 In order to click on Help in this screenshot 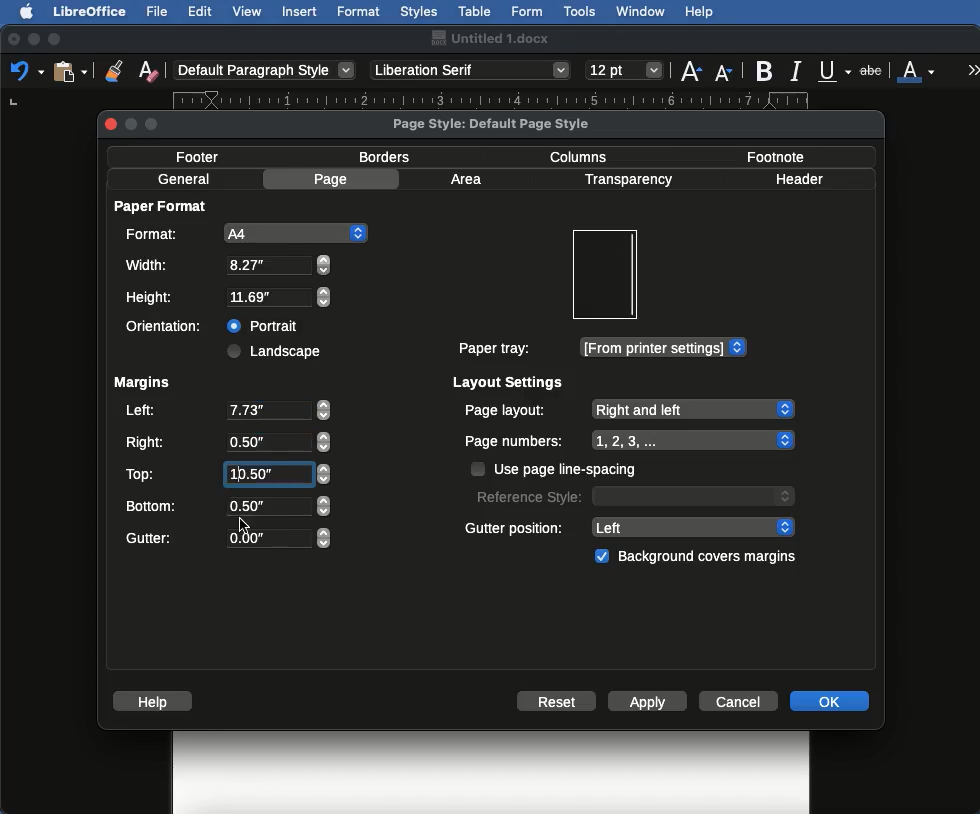, I will do `click(156, 701)`.